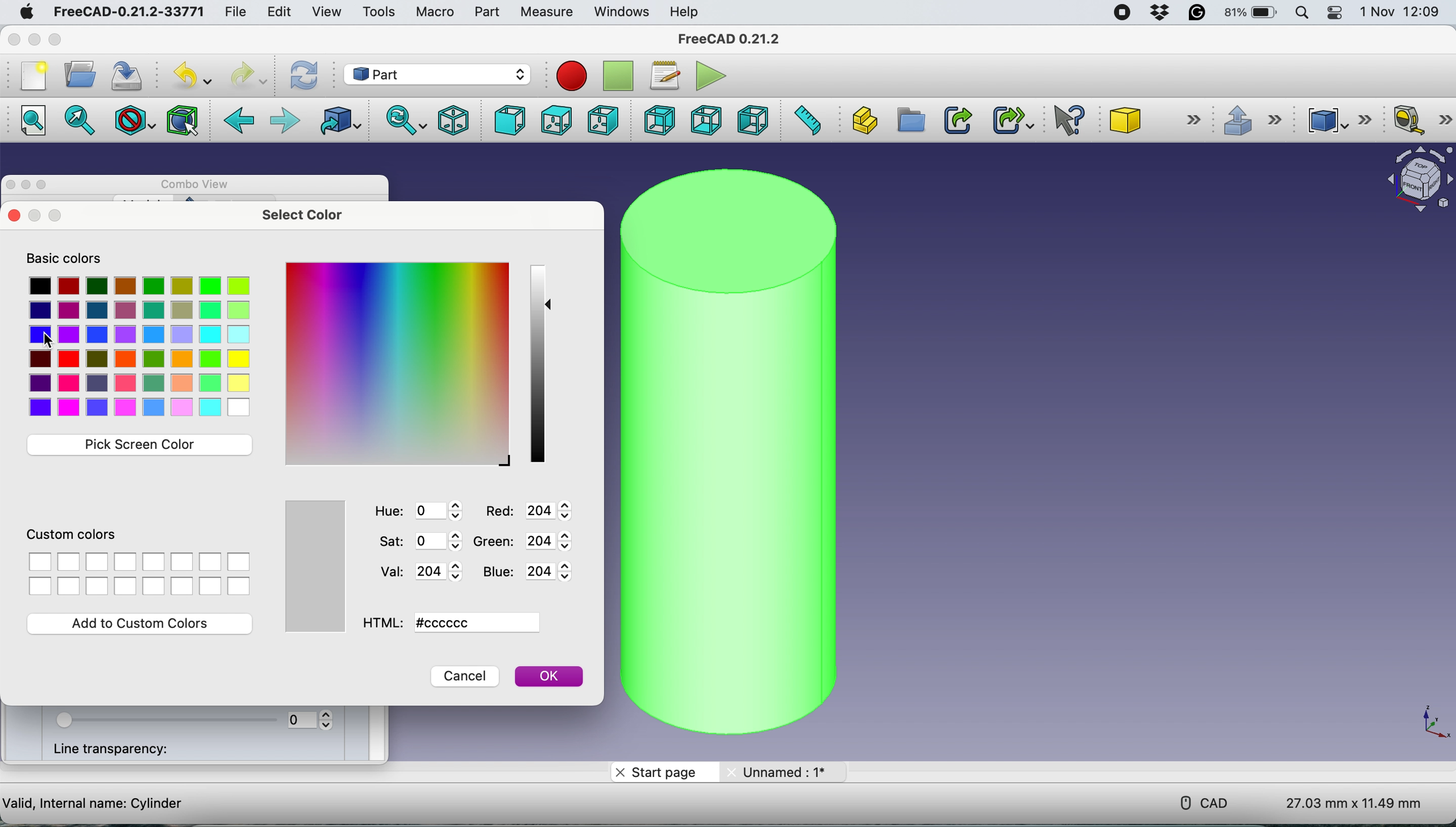  I want to click on redo, so click(252, 75).